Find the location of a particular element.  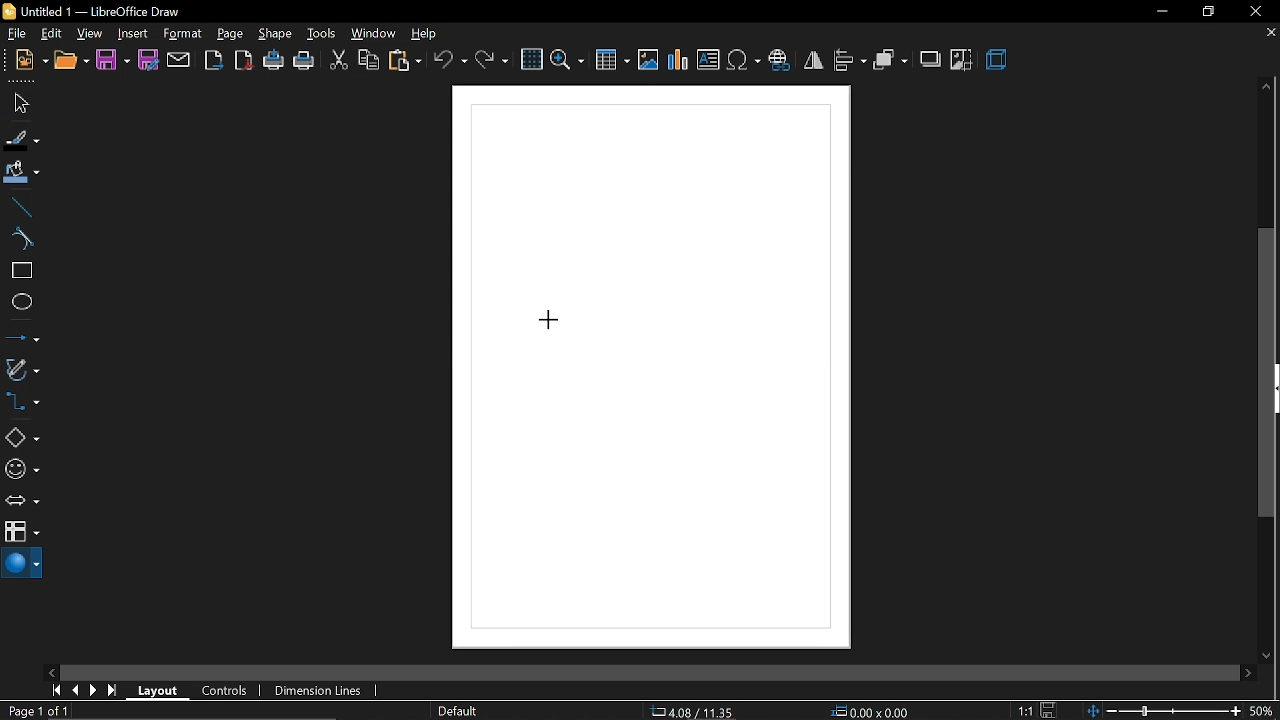

select is located at coordinates (18, 102).